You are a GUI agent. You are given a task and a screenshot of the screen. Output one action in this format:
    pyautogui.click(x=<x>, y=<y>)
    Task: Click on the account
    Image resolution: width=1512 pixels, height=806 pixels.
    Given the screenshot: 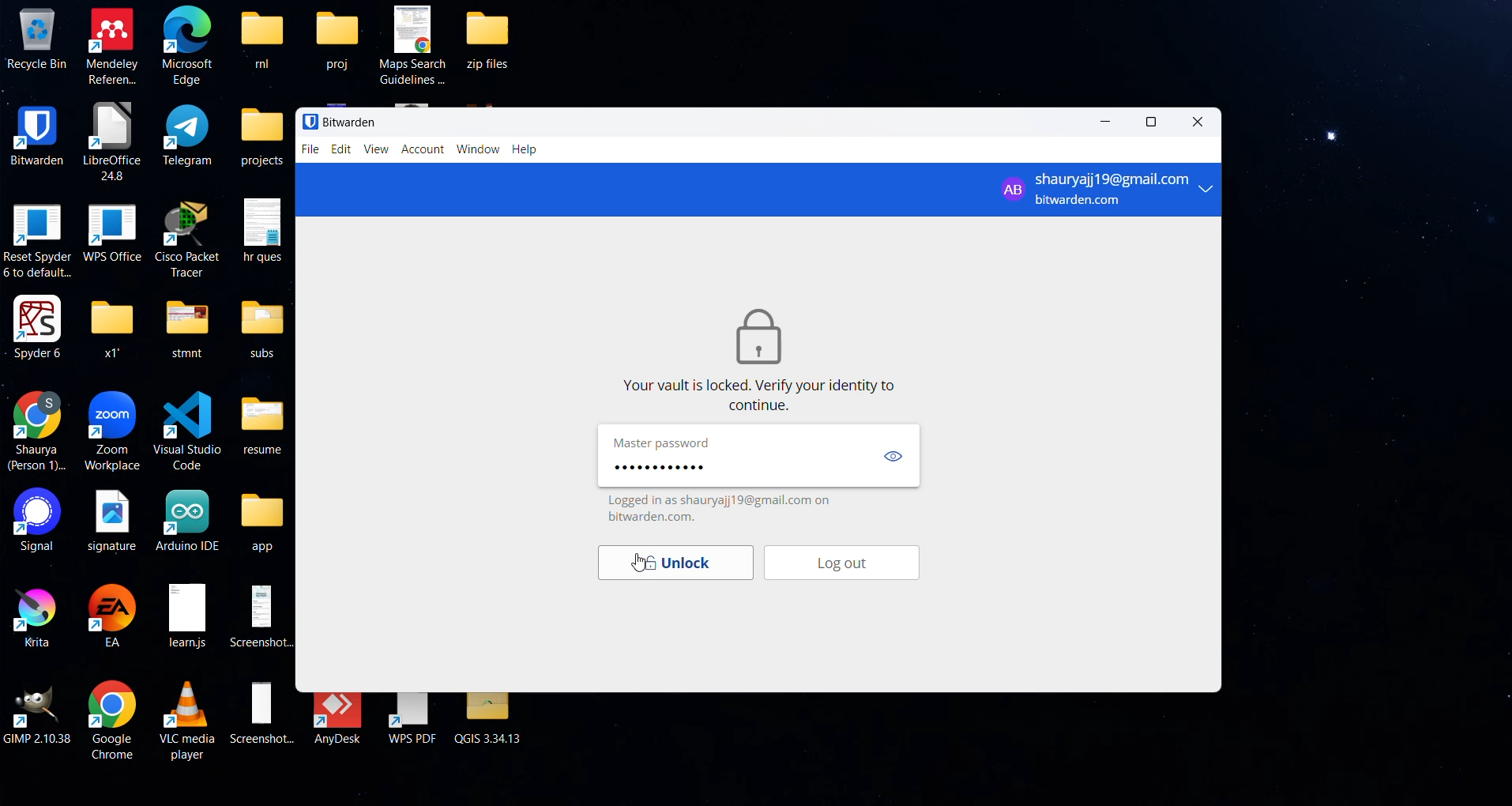 What is the action you would take?
    pyautogui.click(x=425, y=150)
    